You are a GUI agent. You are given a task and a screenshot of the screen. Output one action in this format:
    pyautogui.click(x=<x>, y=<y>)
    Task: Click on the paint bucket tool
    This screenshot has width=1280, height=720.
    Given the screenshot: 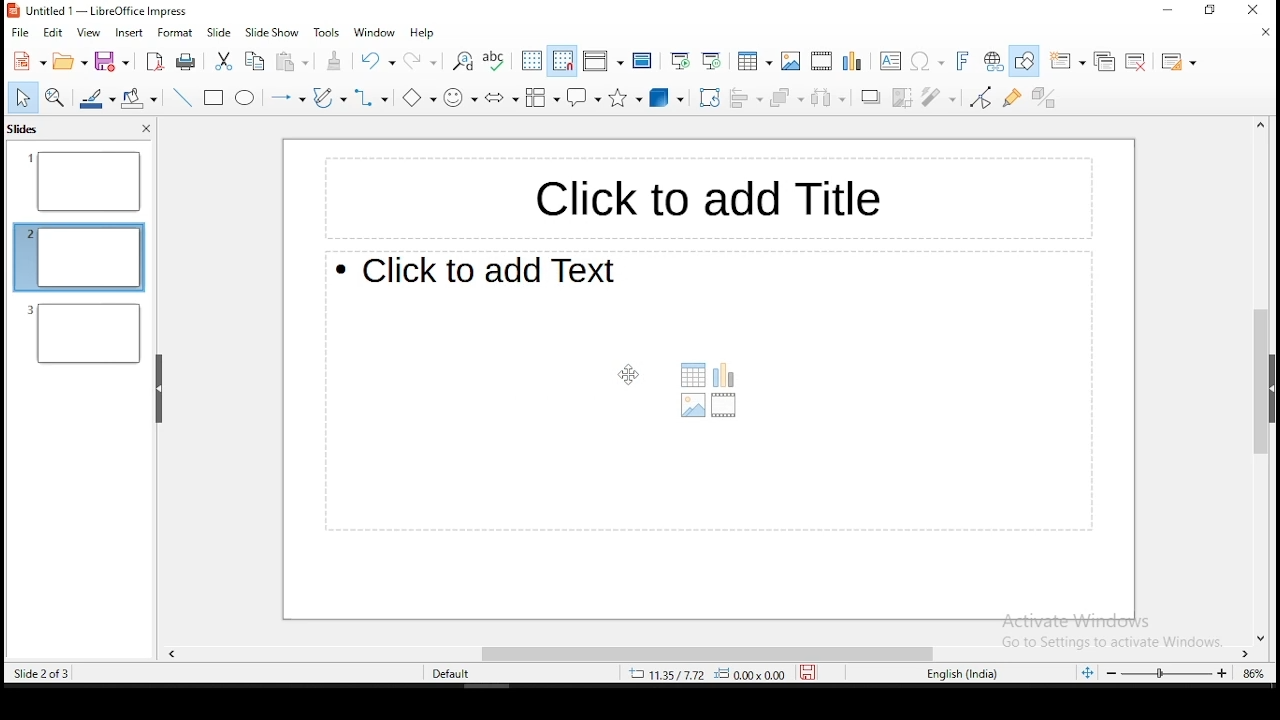 What is the action you would take?
    pyautogui.click(x=139, y=96)
    